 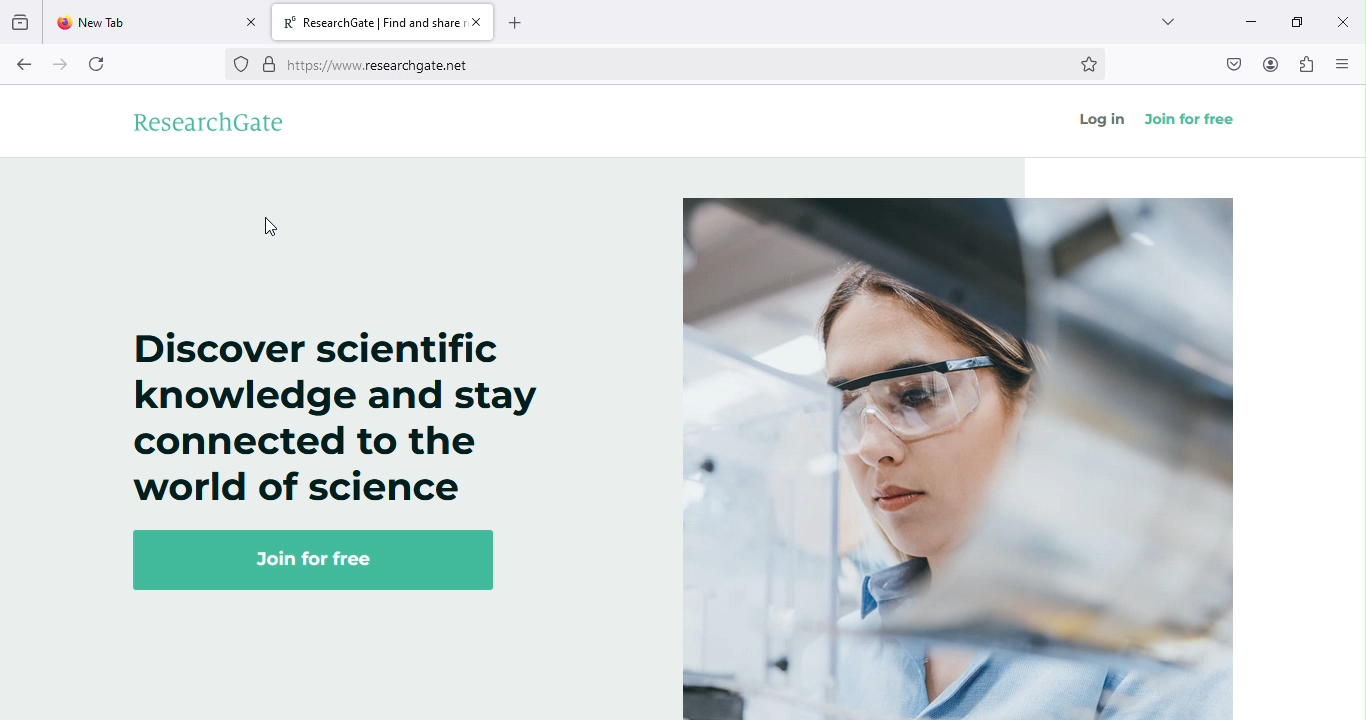 I want to click on https://www.researchgate.et, so click(x=455, y=66).